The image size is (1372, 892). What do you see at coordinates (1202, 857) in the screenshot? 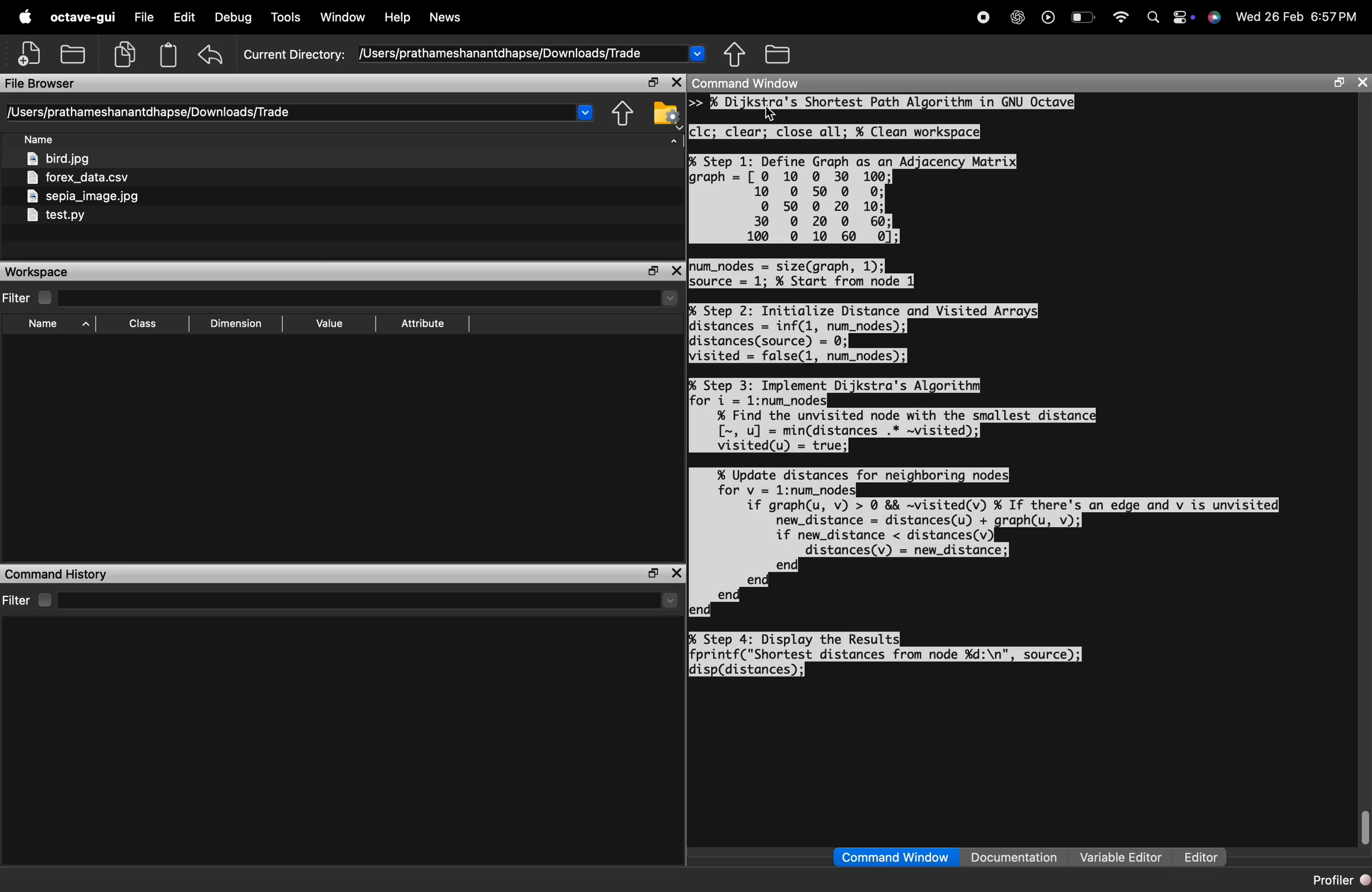
I see `editor` at bounding box center [1202, 857].